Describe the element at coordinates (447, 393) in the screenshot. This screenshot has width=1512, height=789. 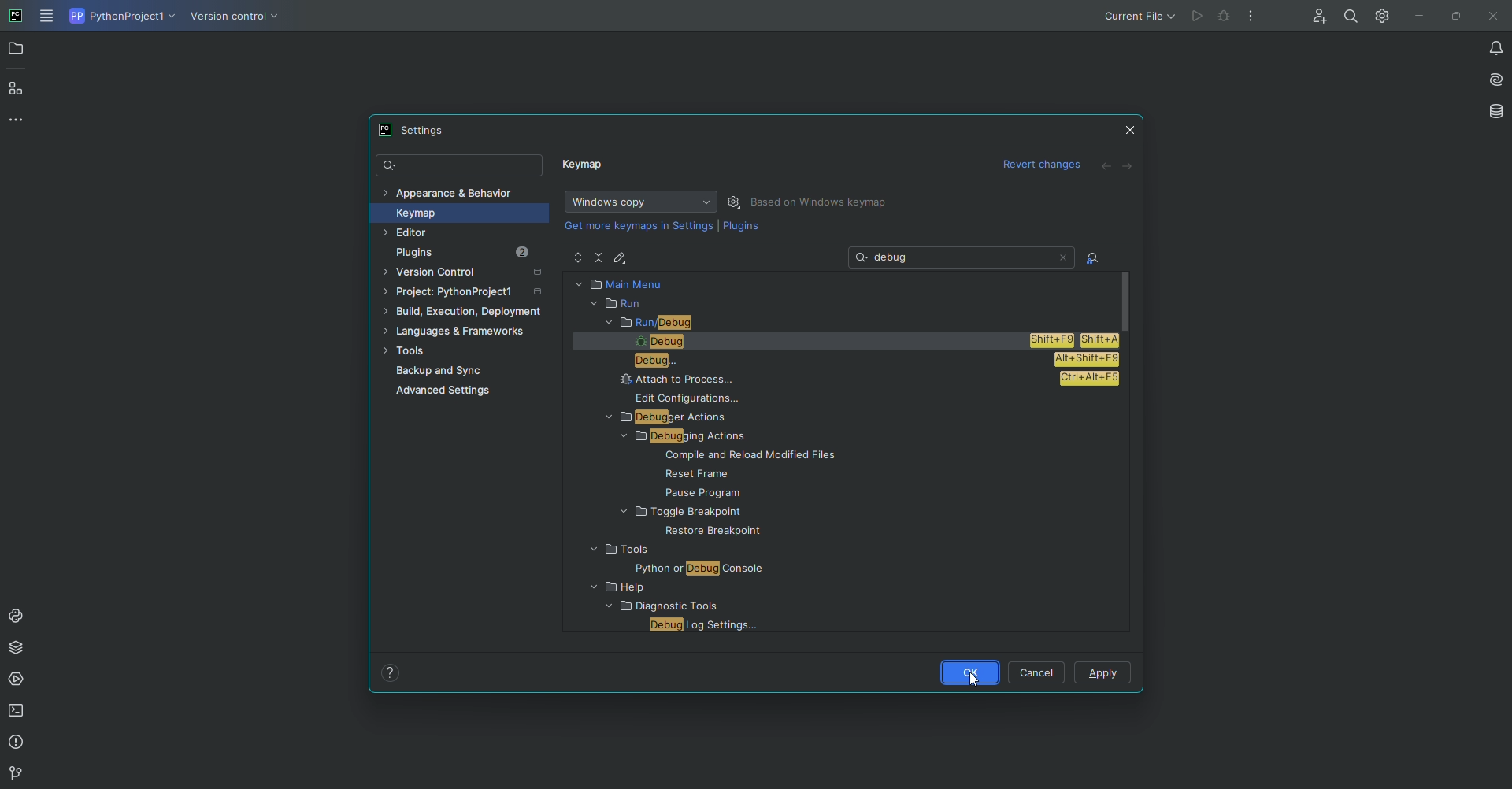
I see `Advanced Settings` at that location.